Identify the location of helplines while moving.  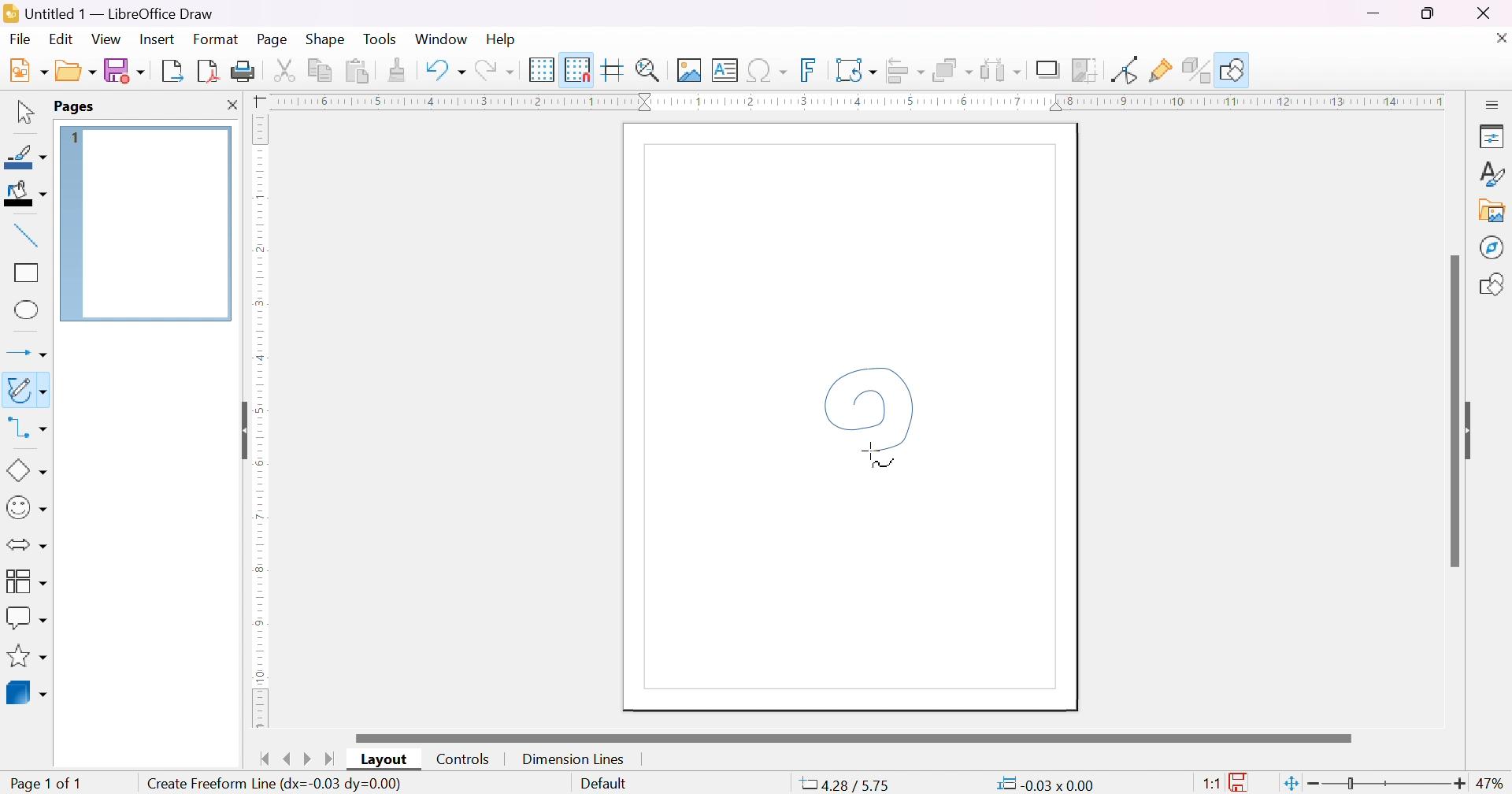
(610, 69).